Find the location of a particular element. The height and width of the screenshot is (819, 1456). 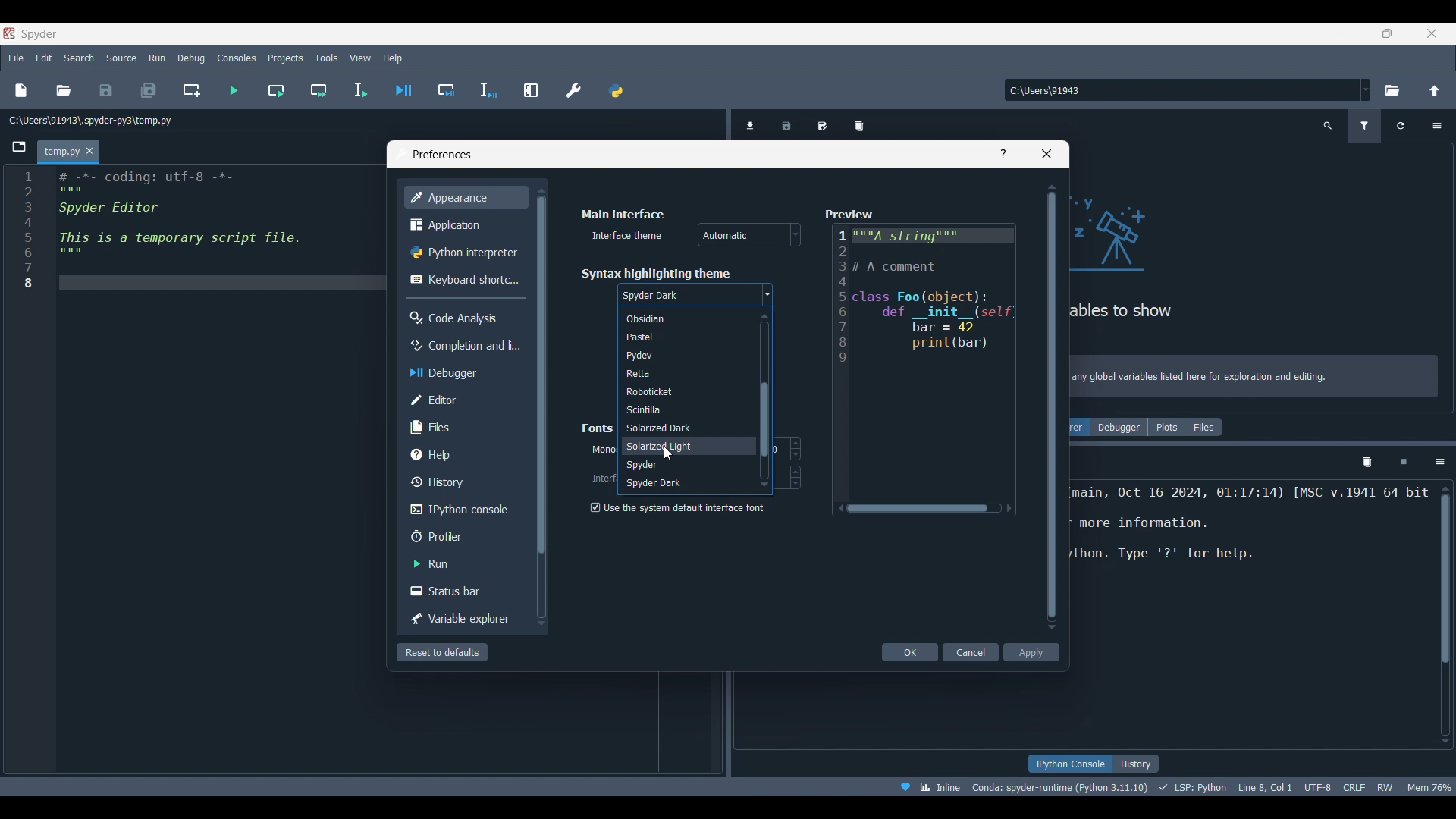

Window title is located at coordinates (442, 155).